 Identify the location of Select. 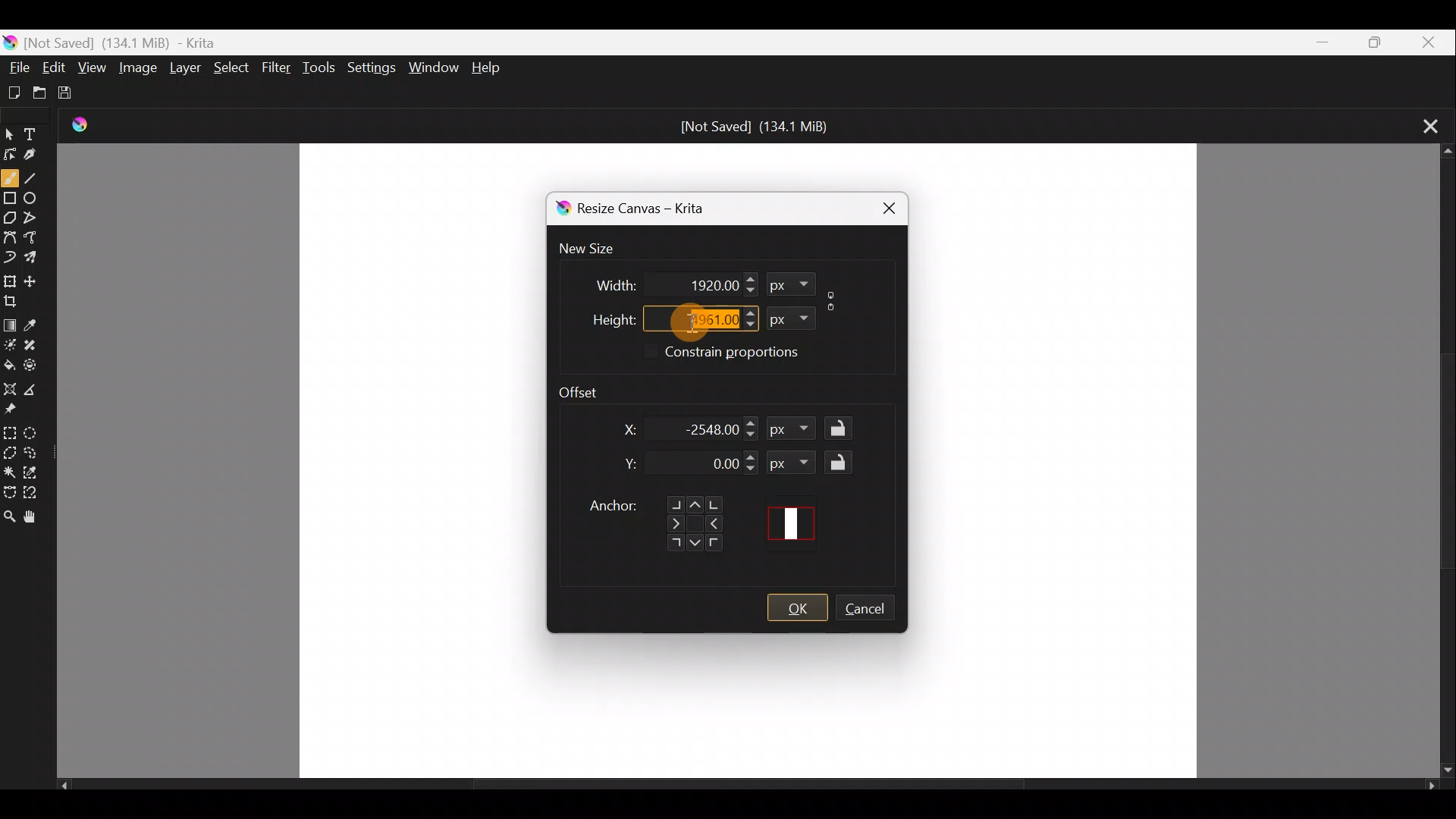
(232, 67).